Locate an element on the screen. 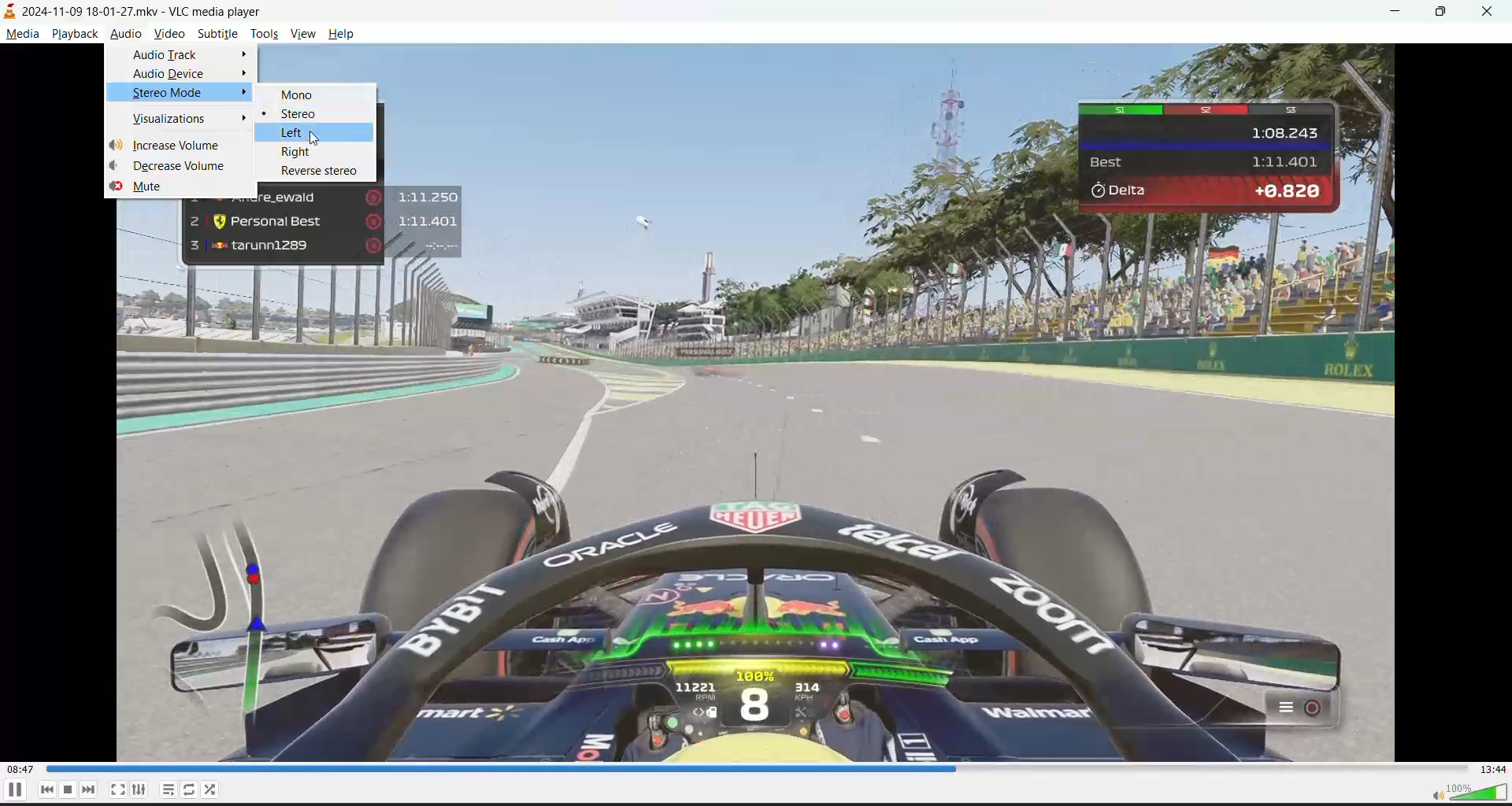 This screenshot has height=806, width=1512. track slider is located at coordinates (750, 769).